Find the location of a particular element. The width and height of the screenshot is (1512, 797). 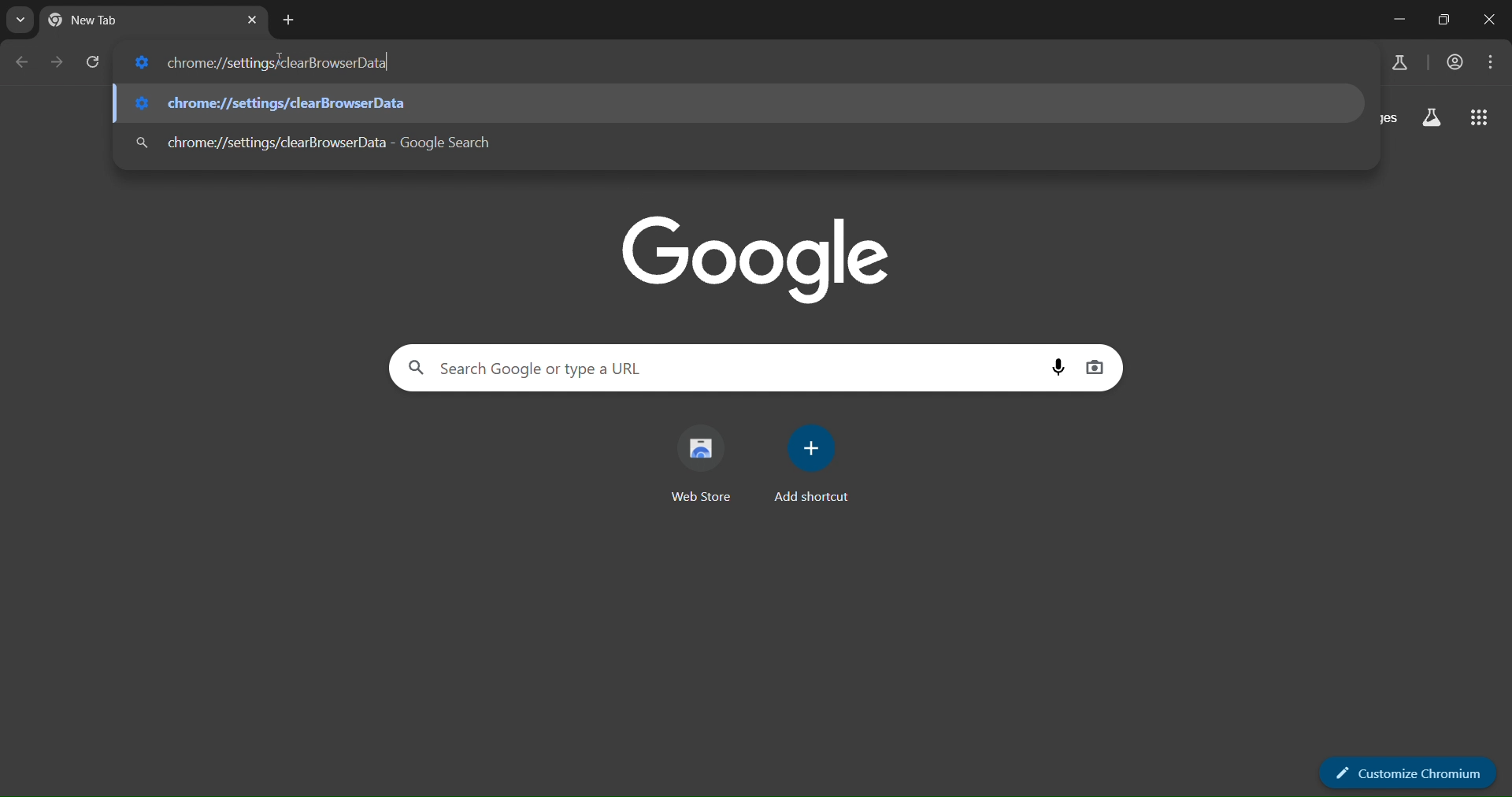

voice search is located at coordinates (1058, 369).